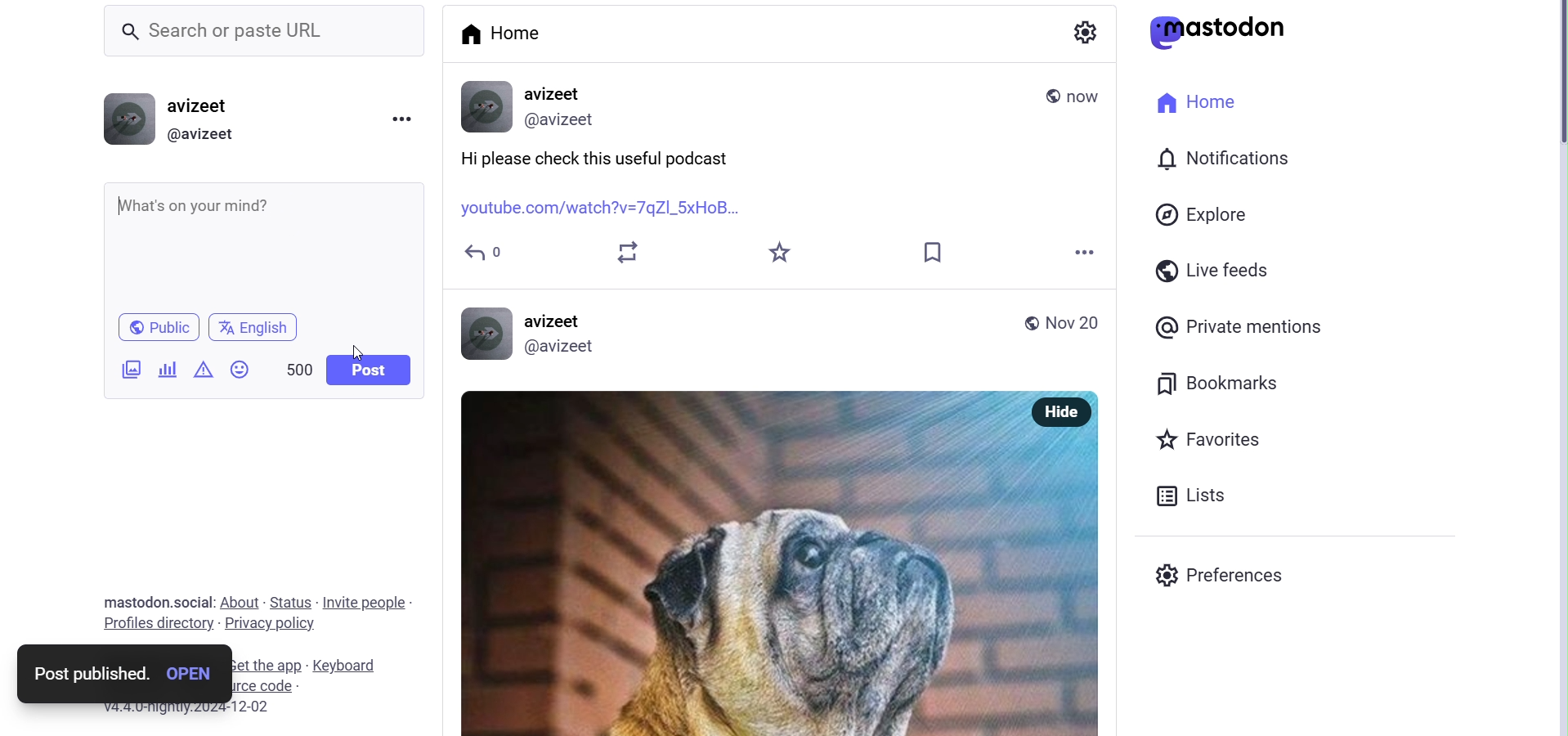 The width and height of the screenshot is (1568, 736). I want to click on profile picture, so click(483, 333).